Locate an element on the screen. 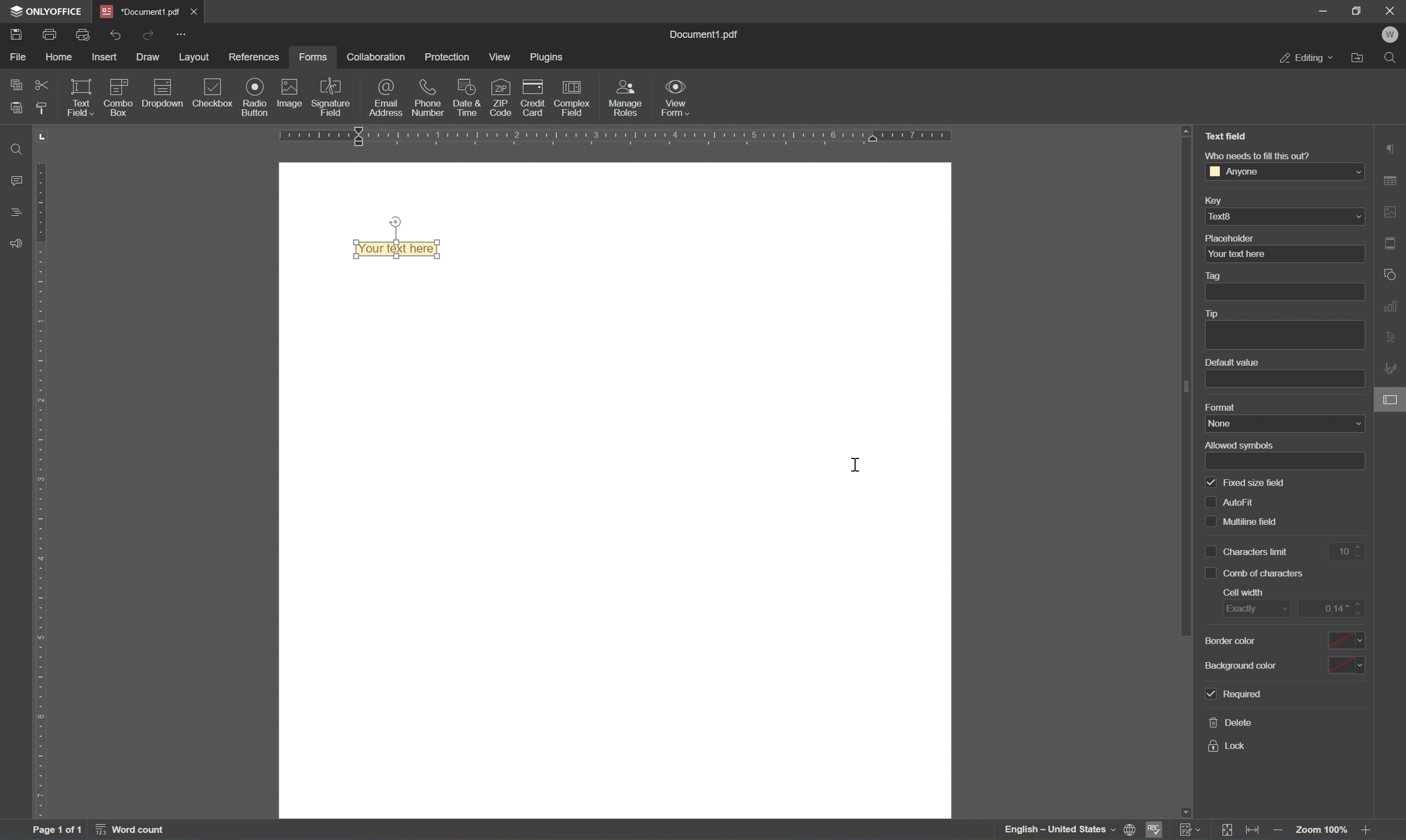 This screenshot has width=1406, height=840. home is located at coordinates (60, 57).